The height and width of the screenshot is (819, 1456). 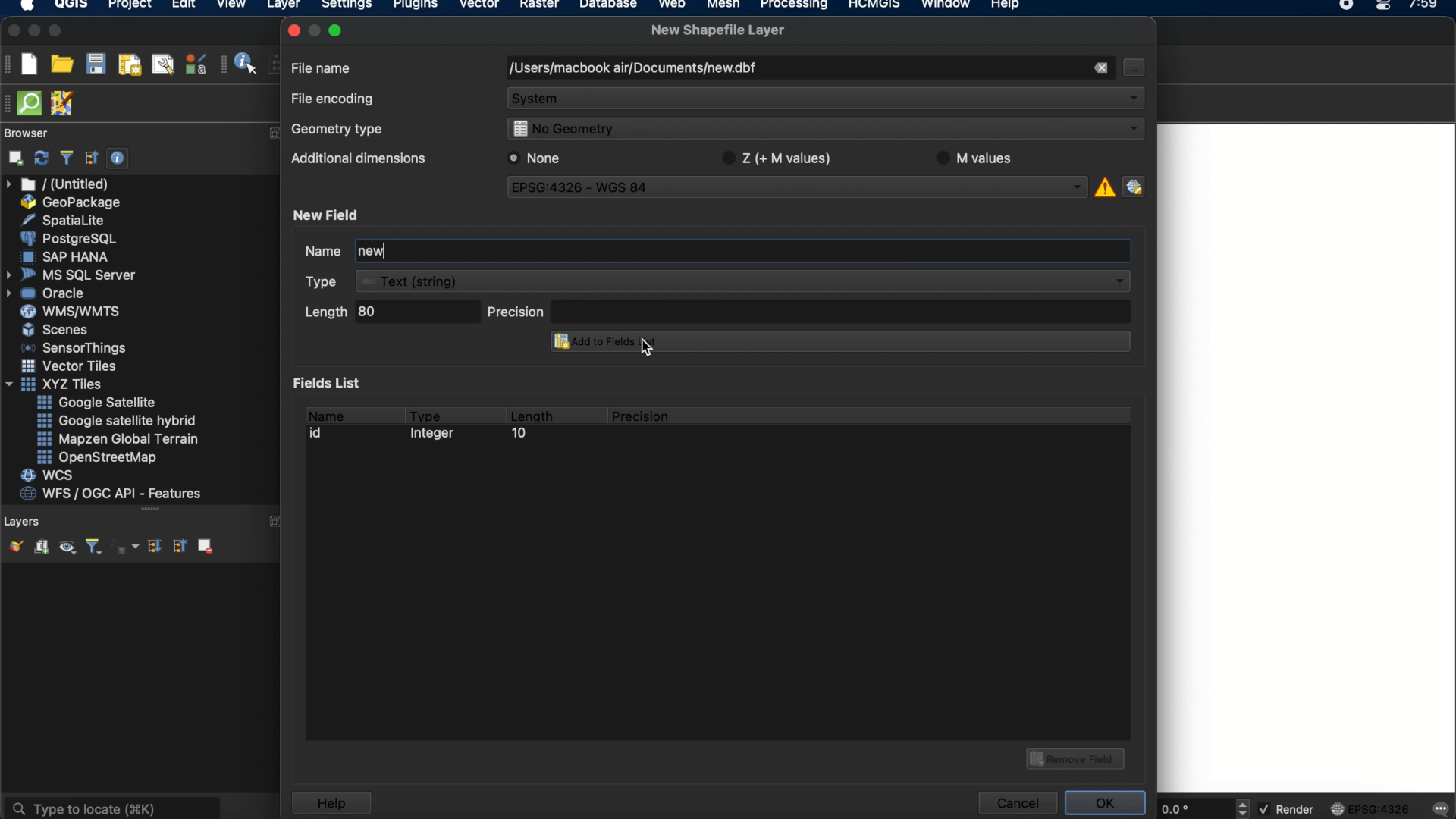 What do you see at coordinates (13, 158) in the screenshot?
I see `add selected layers` at bounding box center [13, 158].